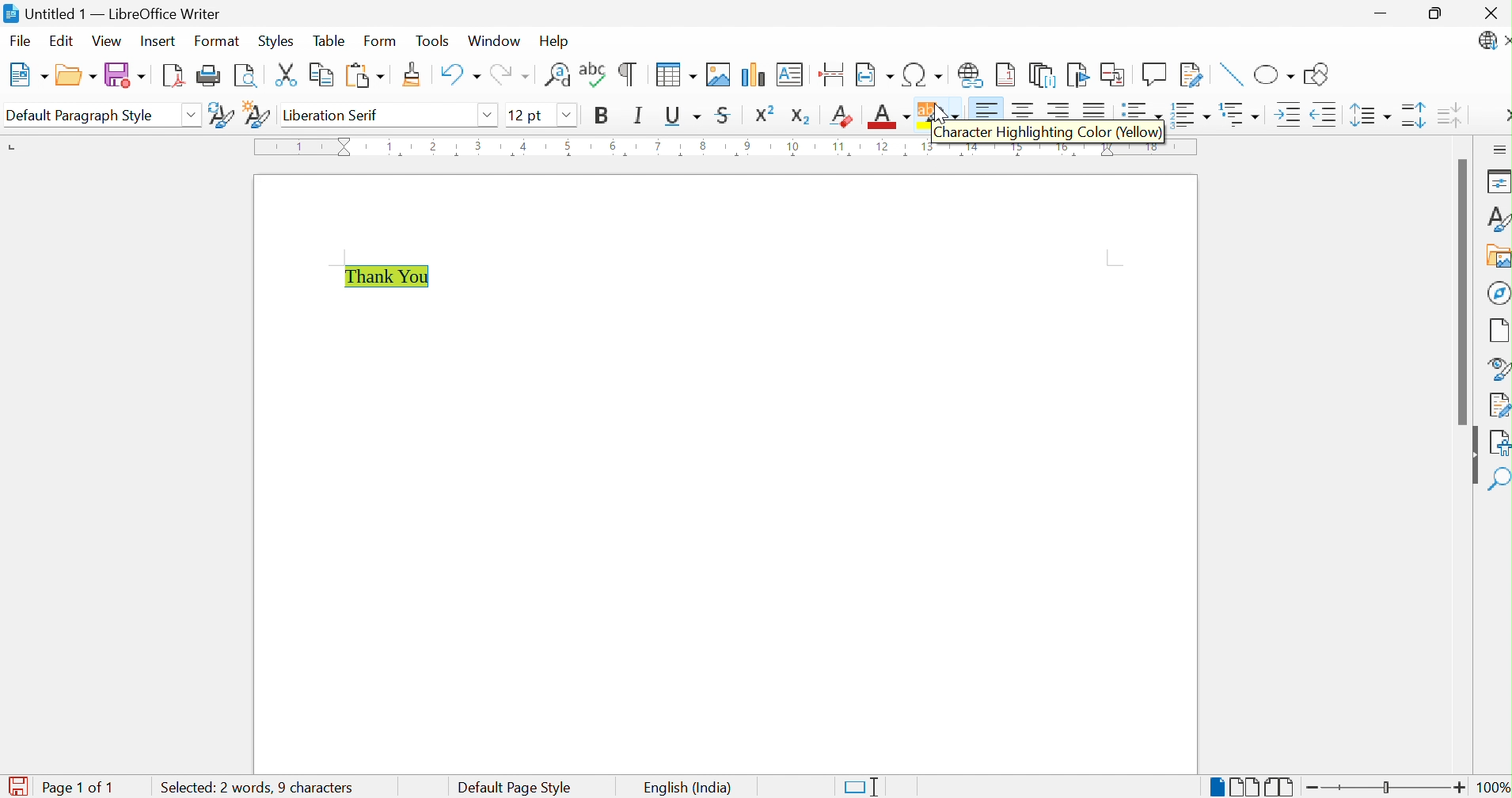 The width and height of the screenshot is (1512, 798). What do you see at coordinates (1413, 118) in the screenshot?
I see `Increase Paragraph Spacing` at bounding box center [1413, 118].